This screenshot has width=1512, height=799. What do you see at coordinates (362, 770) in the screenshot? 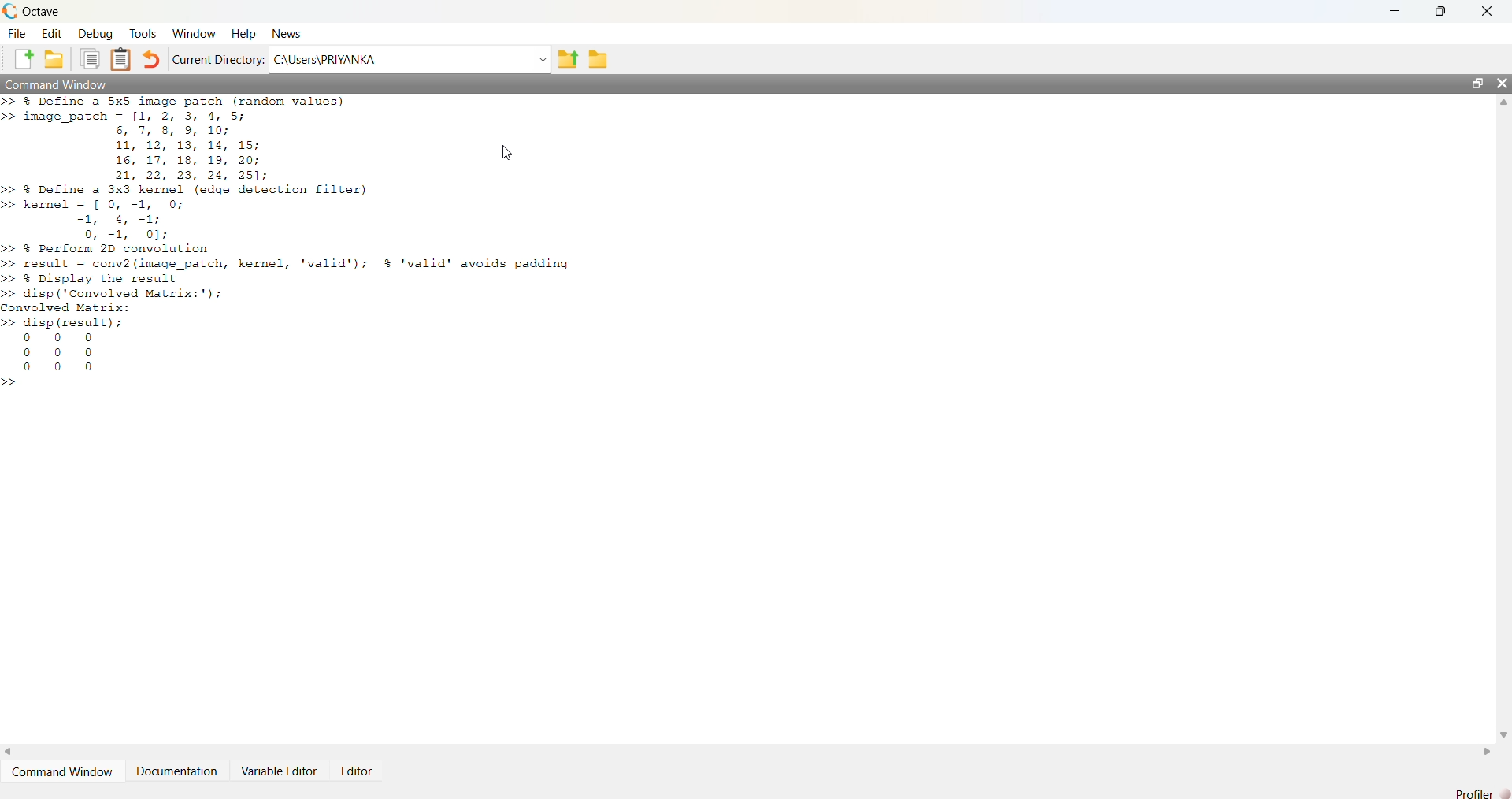
I see `Editor` at bounding box center [362, 770].